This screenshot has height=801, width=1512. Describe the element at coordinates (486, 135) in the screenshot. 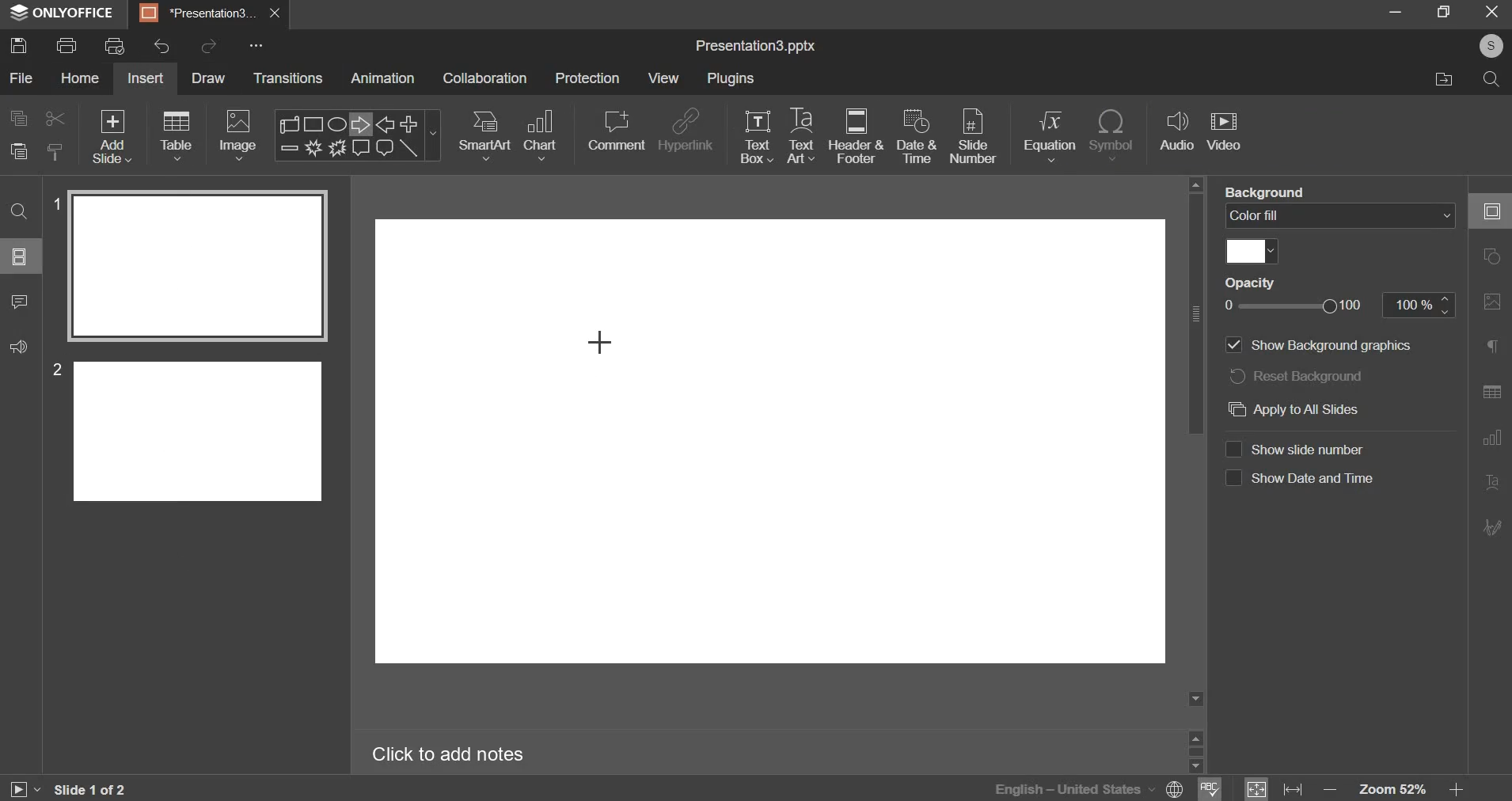

I see `smart art` at that location.